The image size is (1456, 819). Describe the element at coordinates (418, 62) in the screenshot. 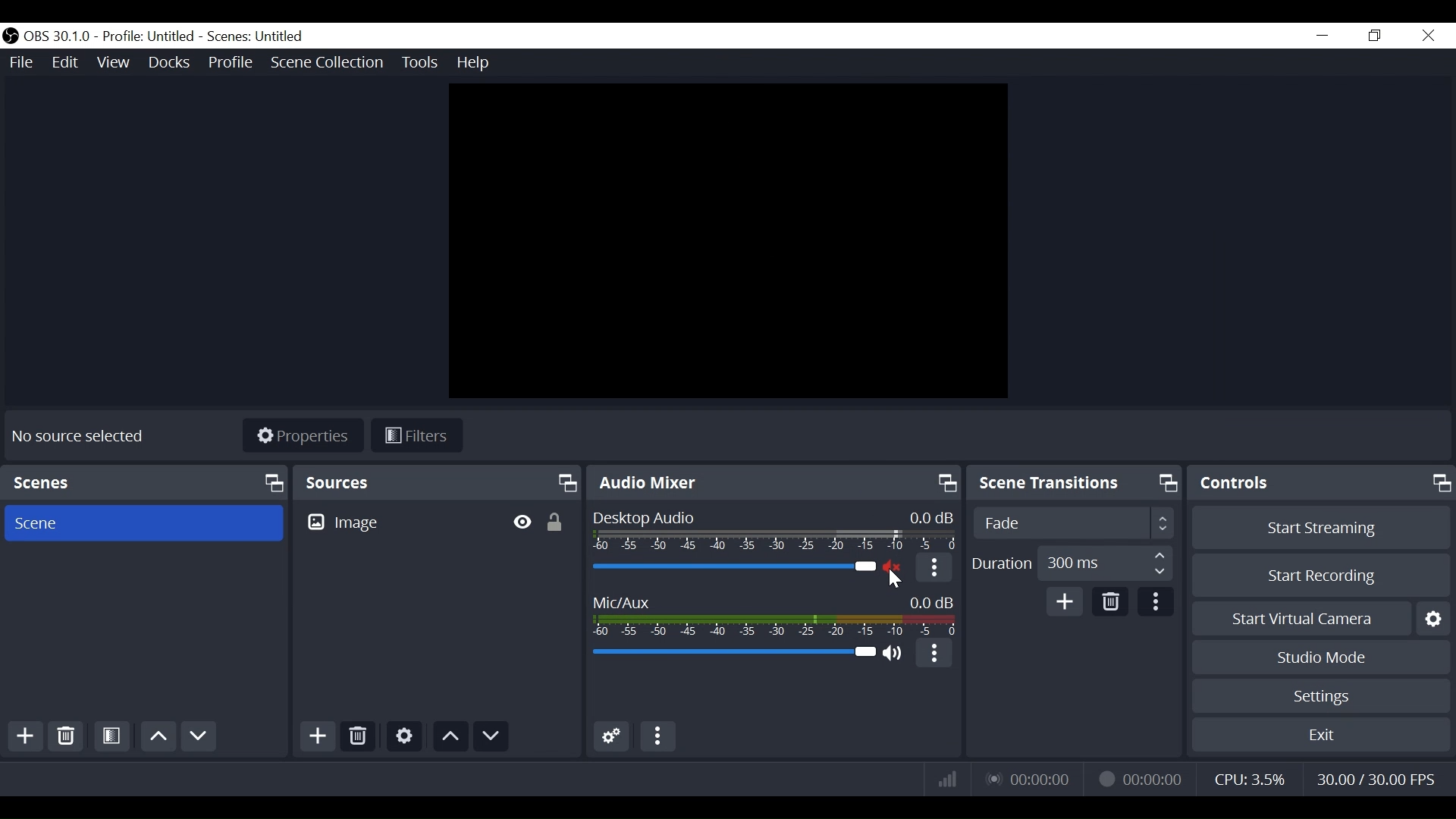

I see `Tools` at that location.